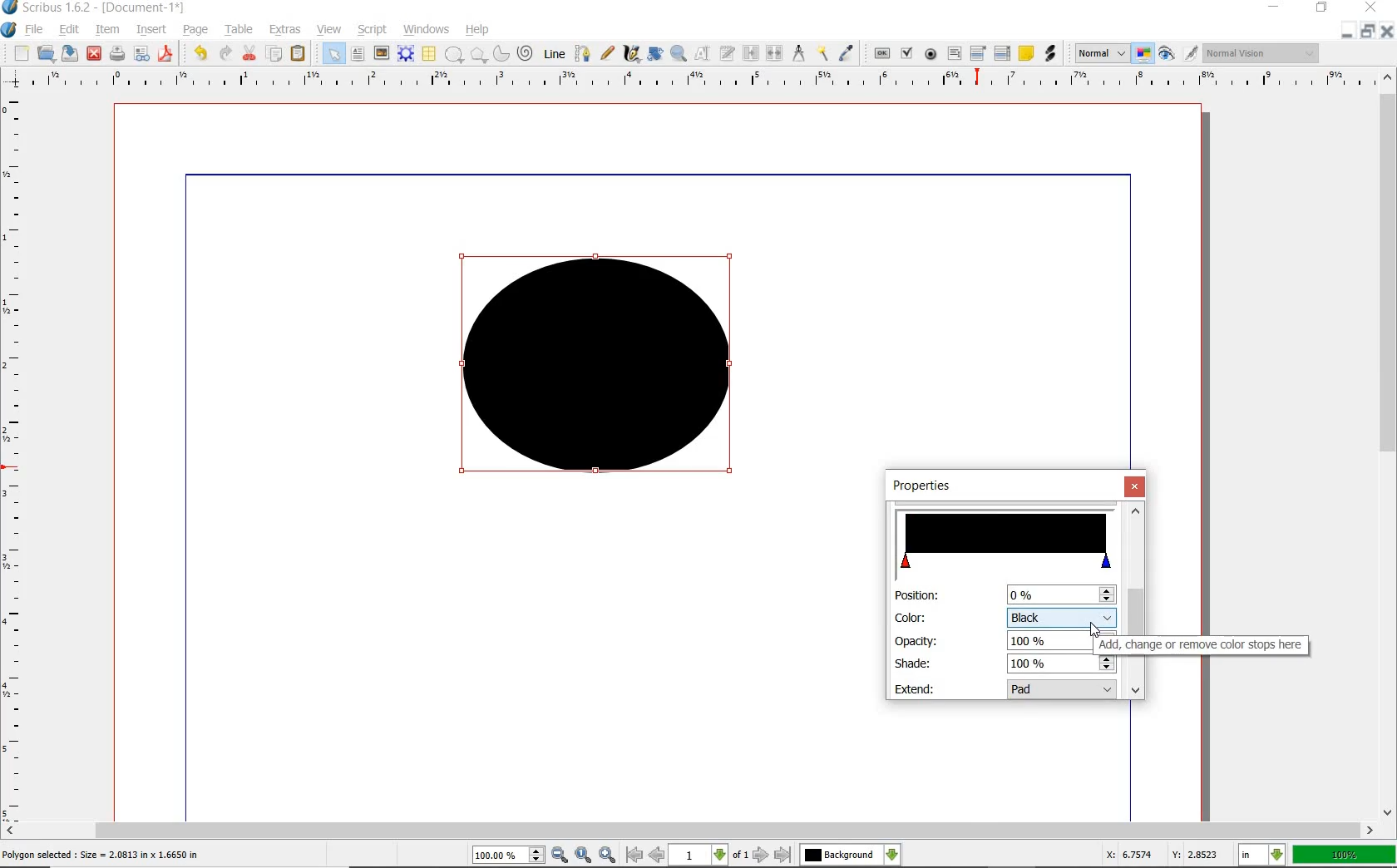  I want to click on close, so click(1137, 486).